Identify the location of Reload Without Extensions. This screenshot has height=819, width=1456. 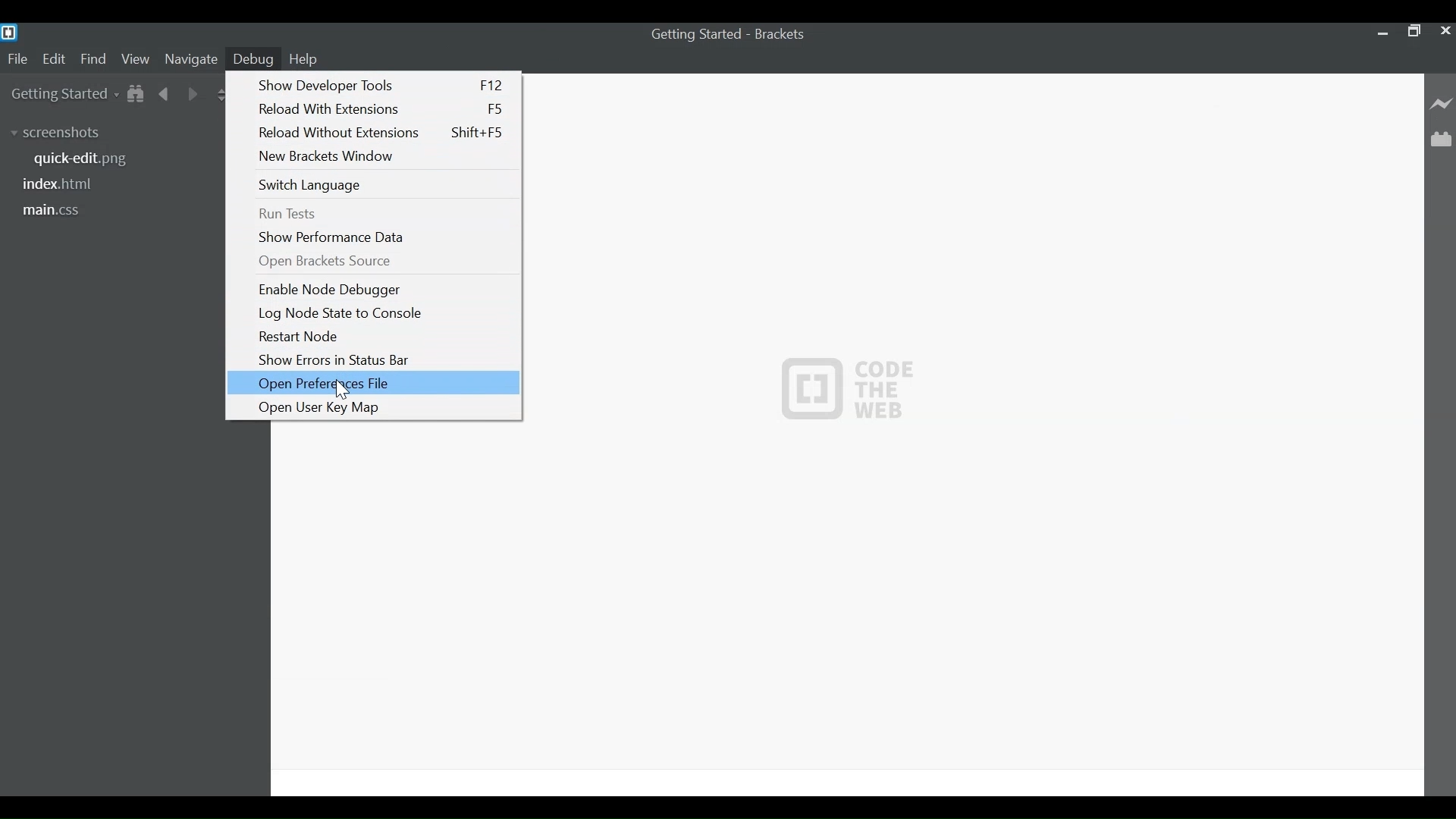
(383, 133).